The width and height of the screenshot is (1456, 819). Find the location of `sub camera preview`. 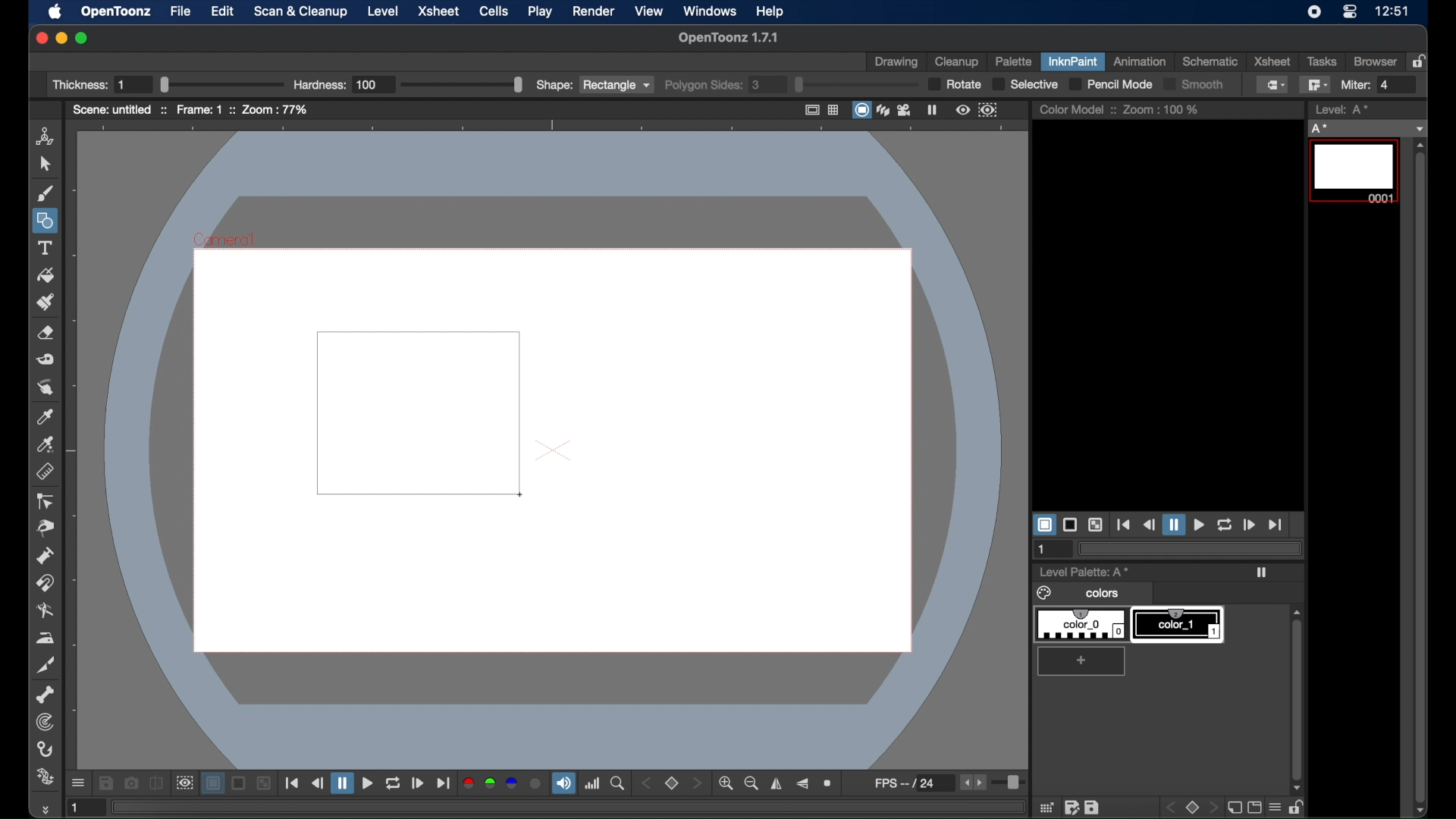

sub camera preview is located at coordinates (988, 110).